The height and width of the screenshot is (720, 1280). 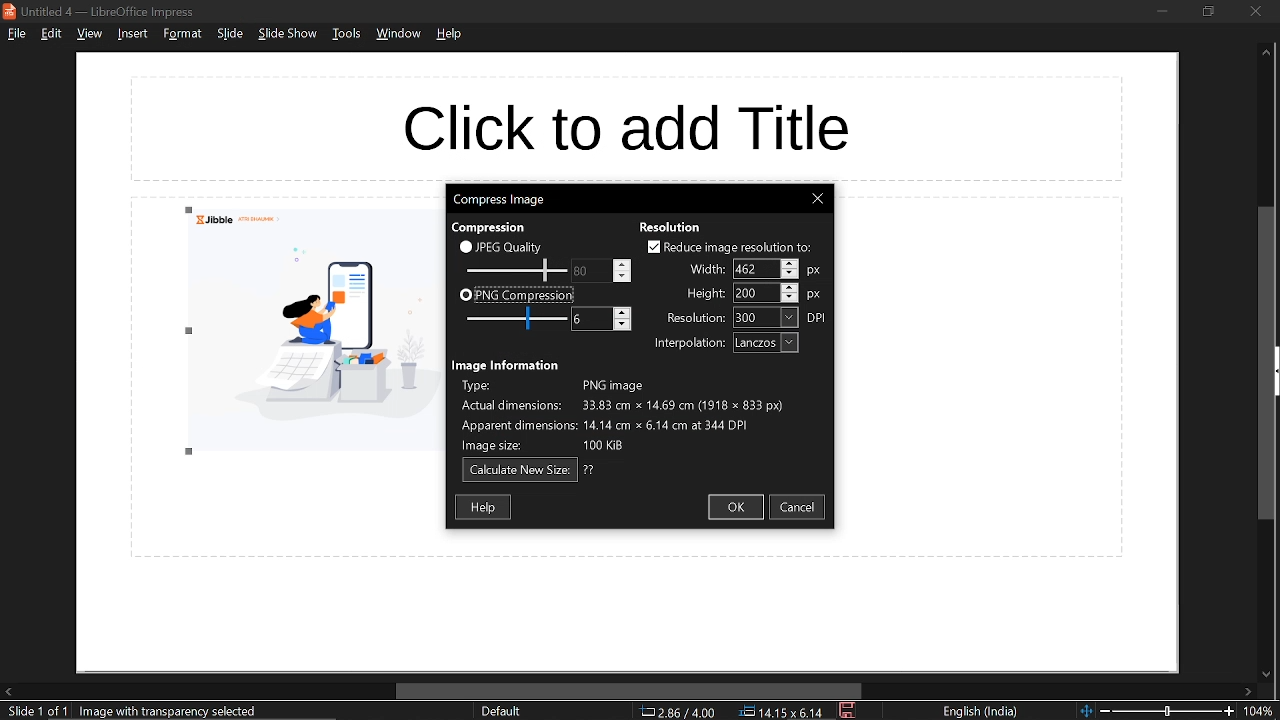 I want to click on image information, so click(x=508, y=365).